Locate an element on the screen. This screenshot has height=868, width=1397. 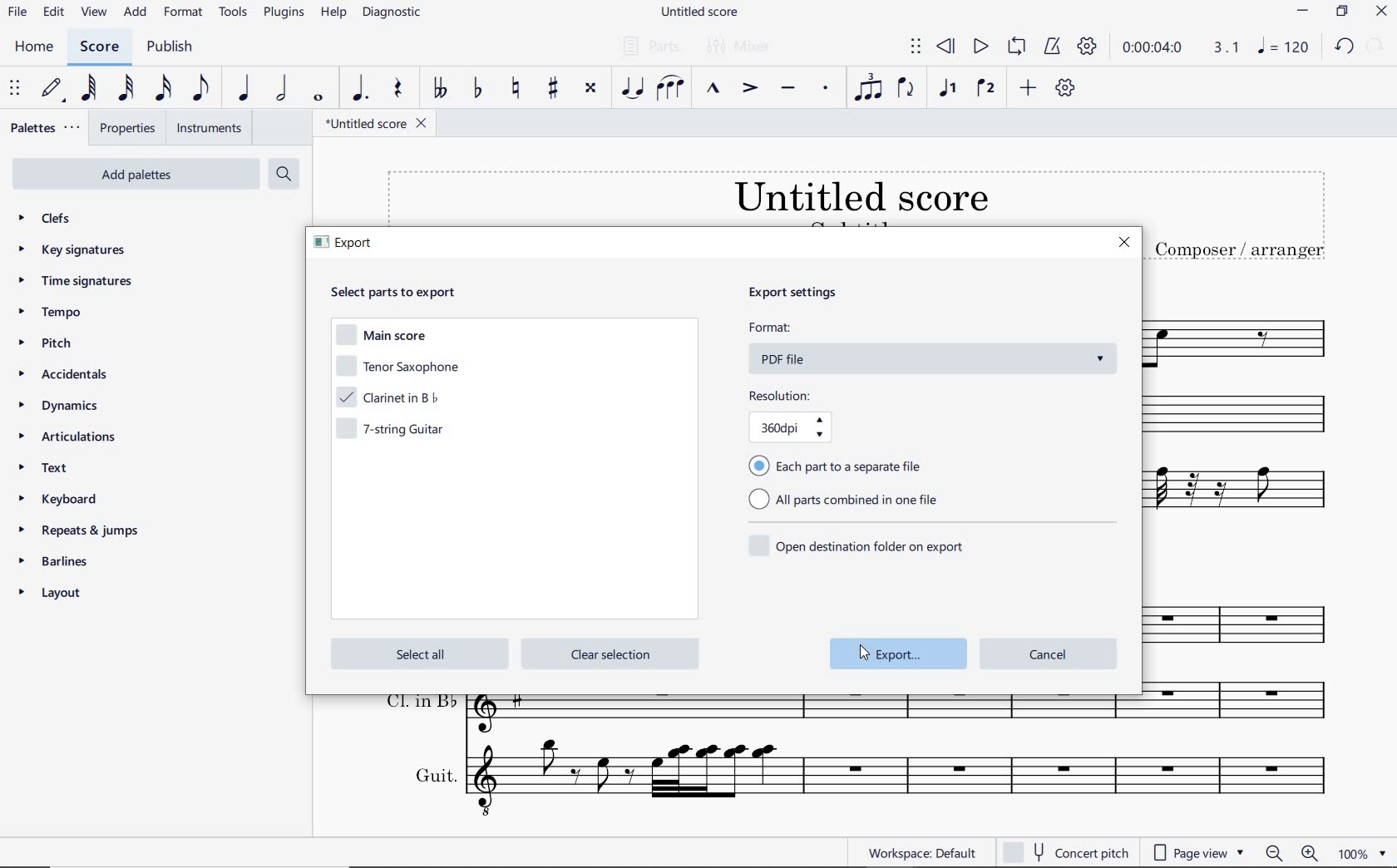
TOOLS is located at coordinates (234, 13).